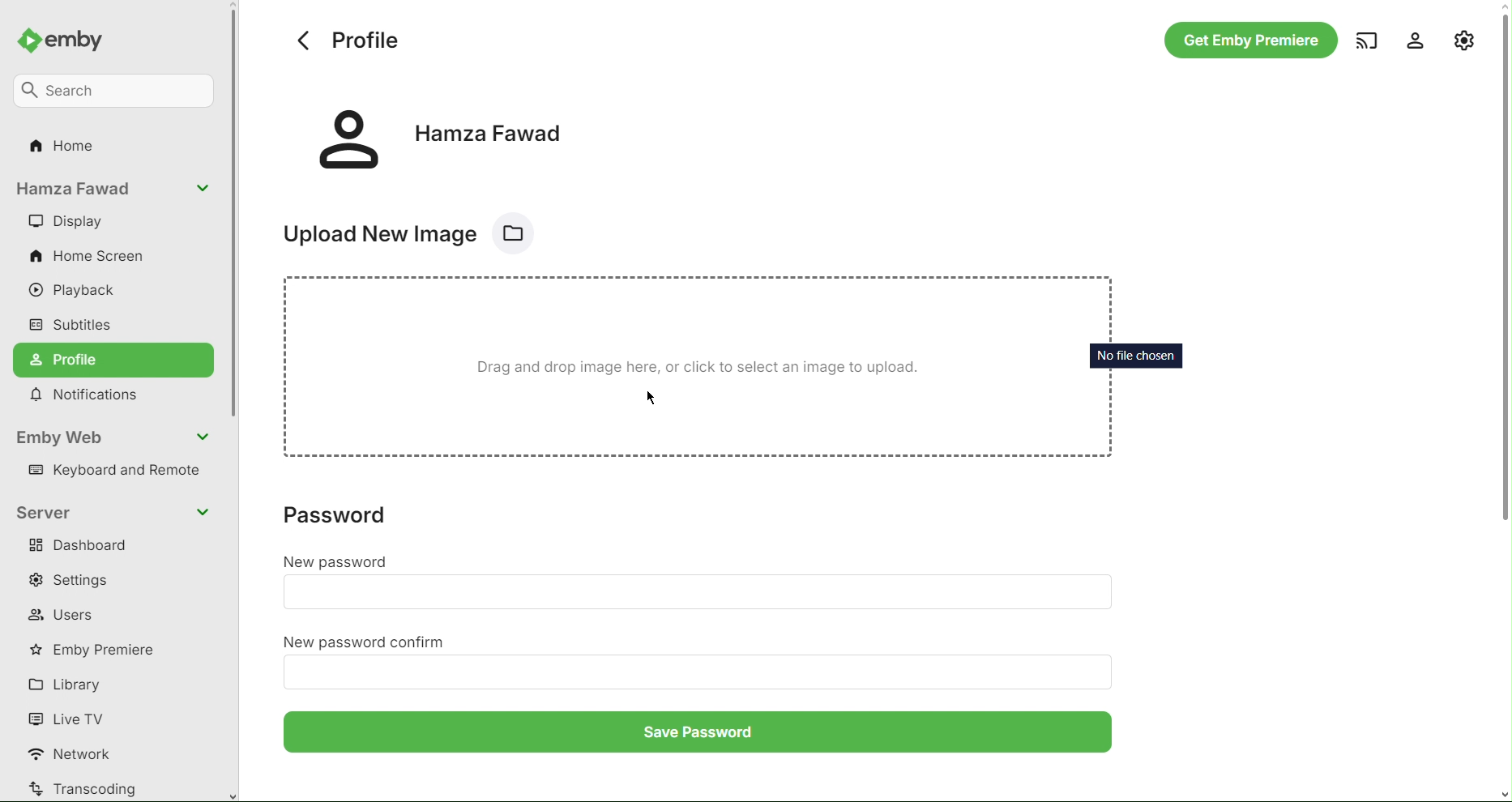 Image resolution: width=1512 pixels, height=802 pixels. Describe the element at coordinates (697, 591) in the screenshot. I see `New Password` at that location.